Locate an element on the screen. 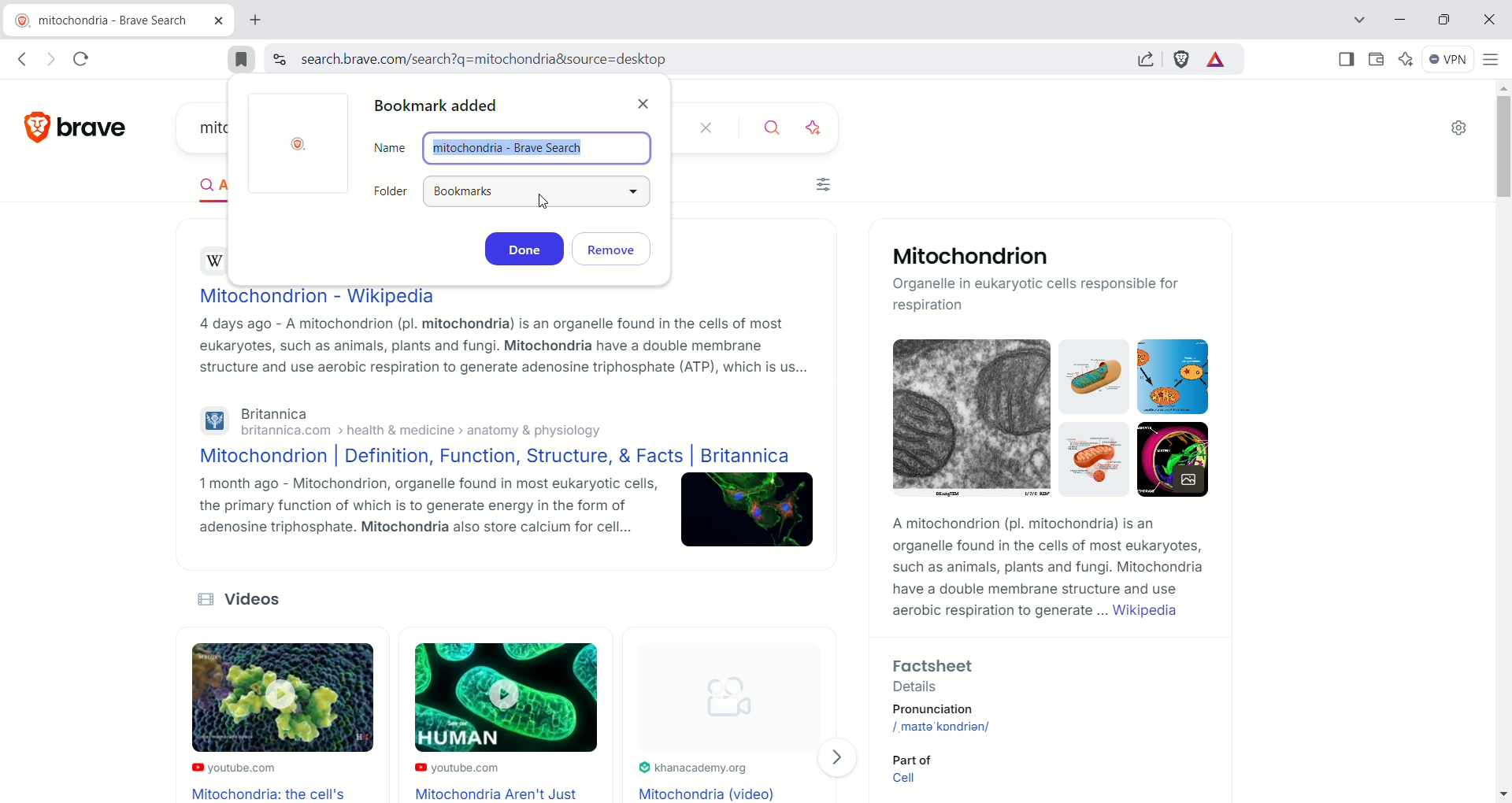 The width and height of the screenshot is (1512, 803). Videos is located at coordinates (254, 599).